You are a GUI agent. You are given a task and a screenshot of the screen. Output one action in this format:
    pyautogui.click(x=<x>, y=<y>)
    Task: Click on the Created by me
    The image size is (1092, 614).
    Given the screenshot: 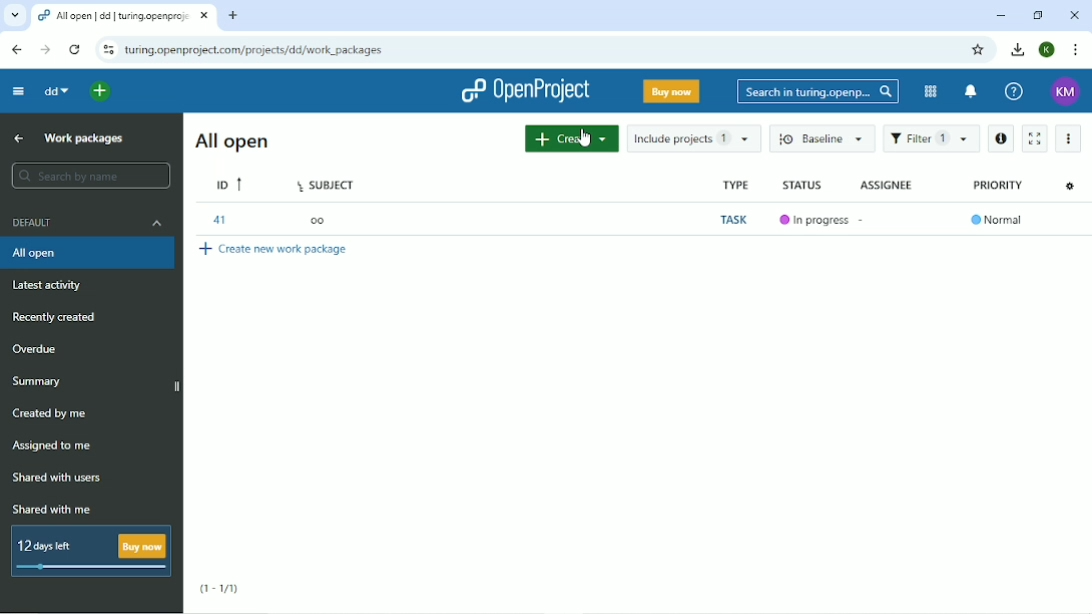 What is the action you would take?
    pyautogui.click(x=51, y=414)
    